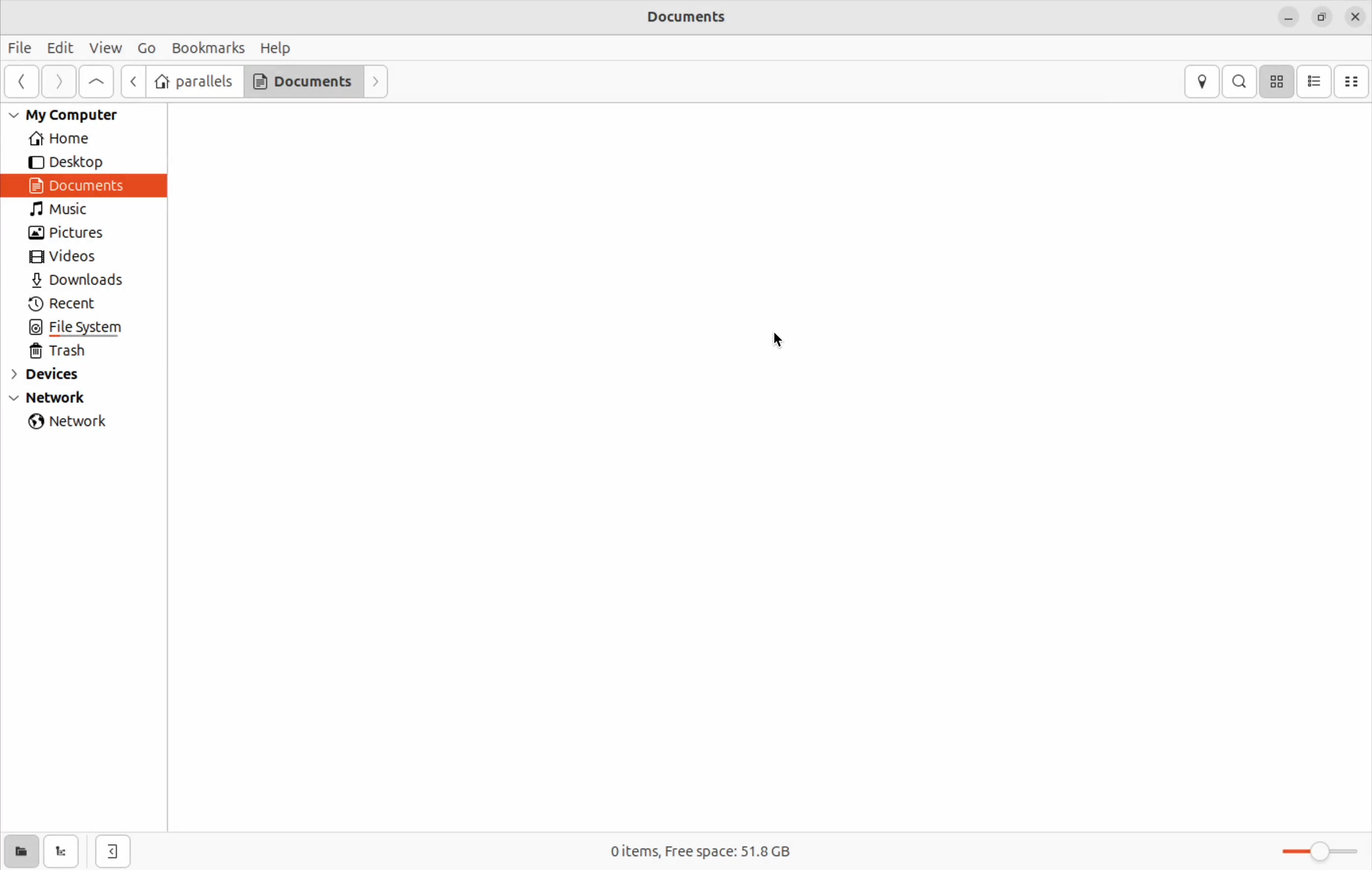 This screenshot has width=1372, height=870. Describe the element at coordinates (149, 47) in the screenshot. I see `Go` at that location.